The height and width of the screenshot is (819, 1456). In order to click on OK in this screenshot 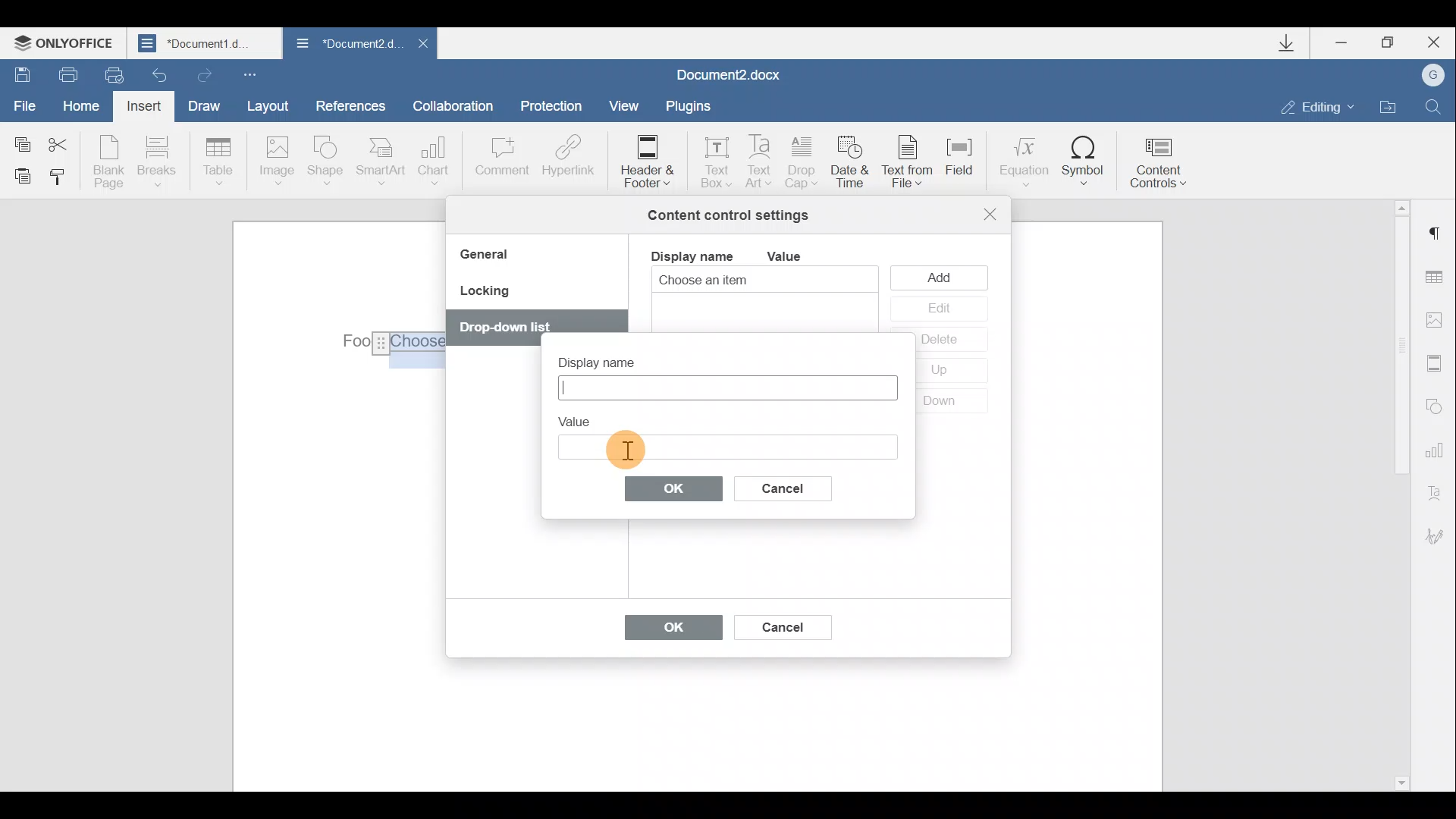, I will do `click(666, 631)`.